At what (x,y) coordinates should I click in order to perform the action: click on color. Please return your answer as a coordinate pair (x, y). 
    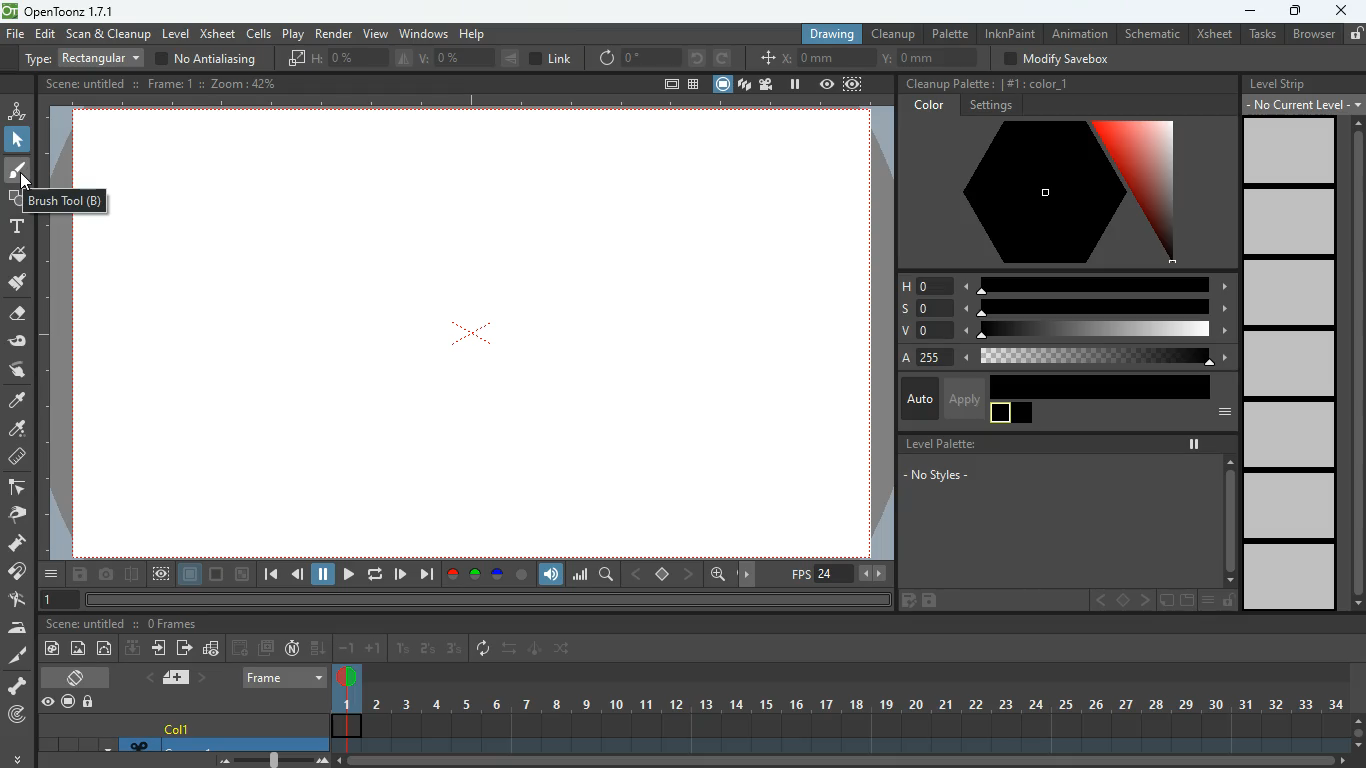
    Looking at the image, I should click on (1012, 414).